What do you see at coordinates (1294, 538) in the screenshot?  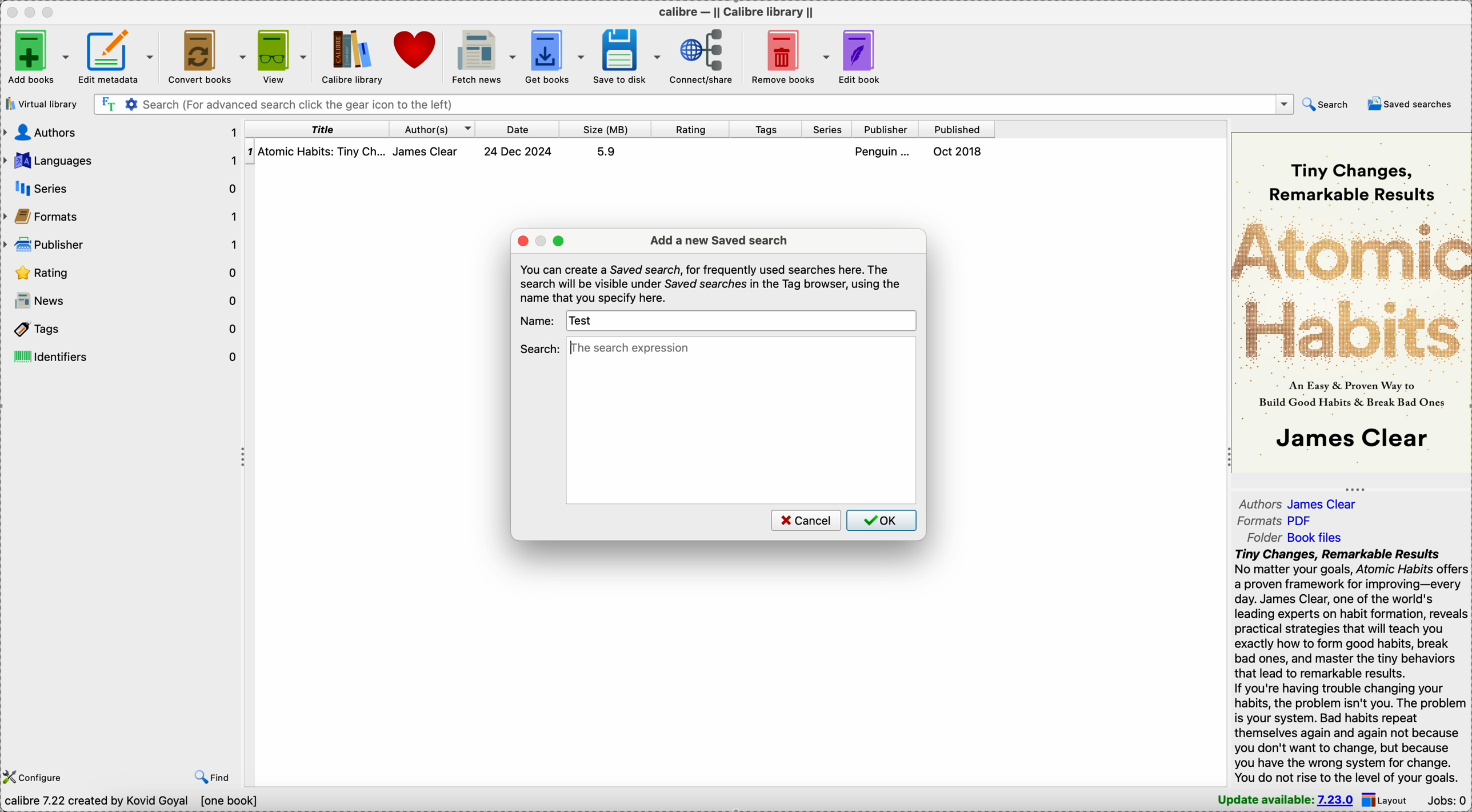 I see `folder Book files` at bounding box center [1294, 538].